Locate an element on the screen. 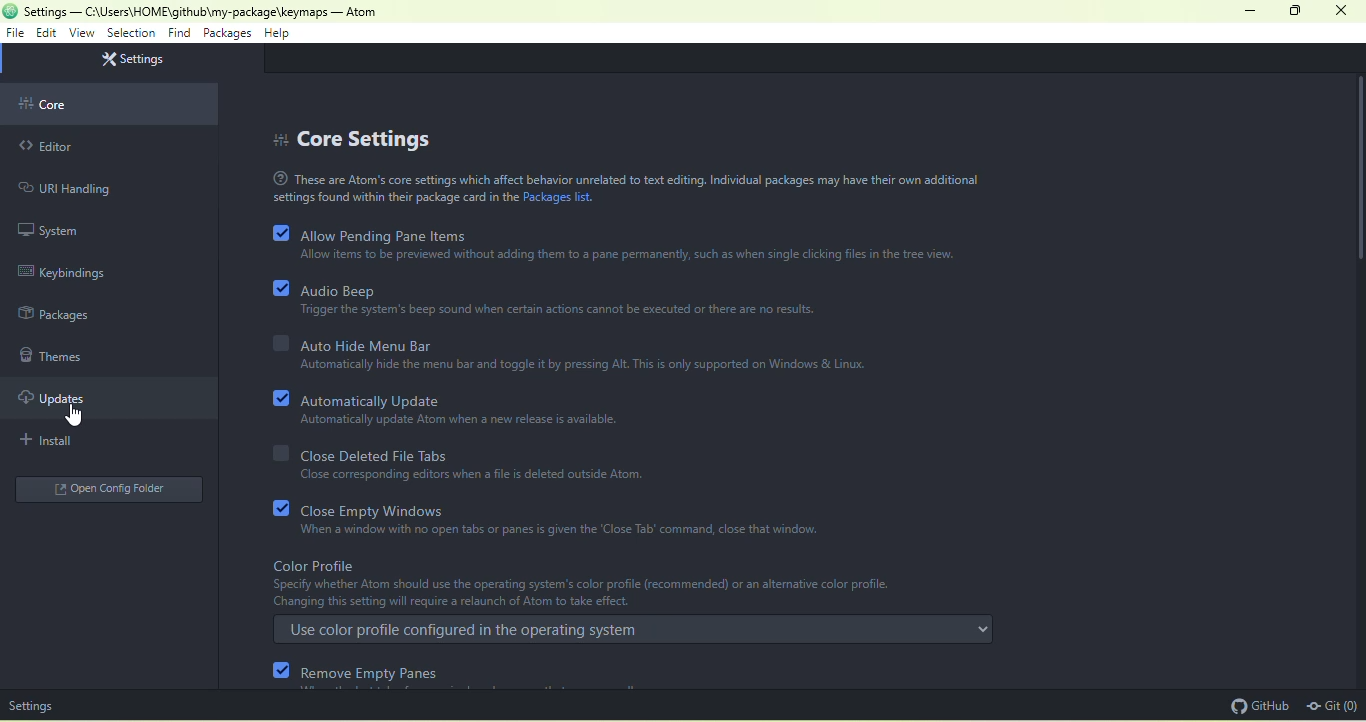 This screenshot has width=1366, height=722. updates is located at coordinates (114, 400).